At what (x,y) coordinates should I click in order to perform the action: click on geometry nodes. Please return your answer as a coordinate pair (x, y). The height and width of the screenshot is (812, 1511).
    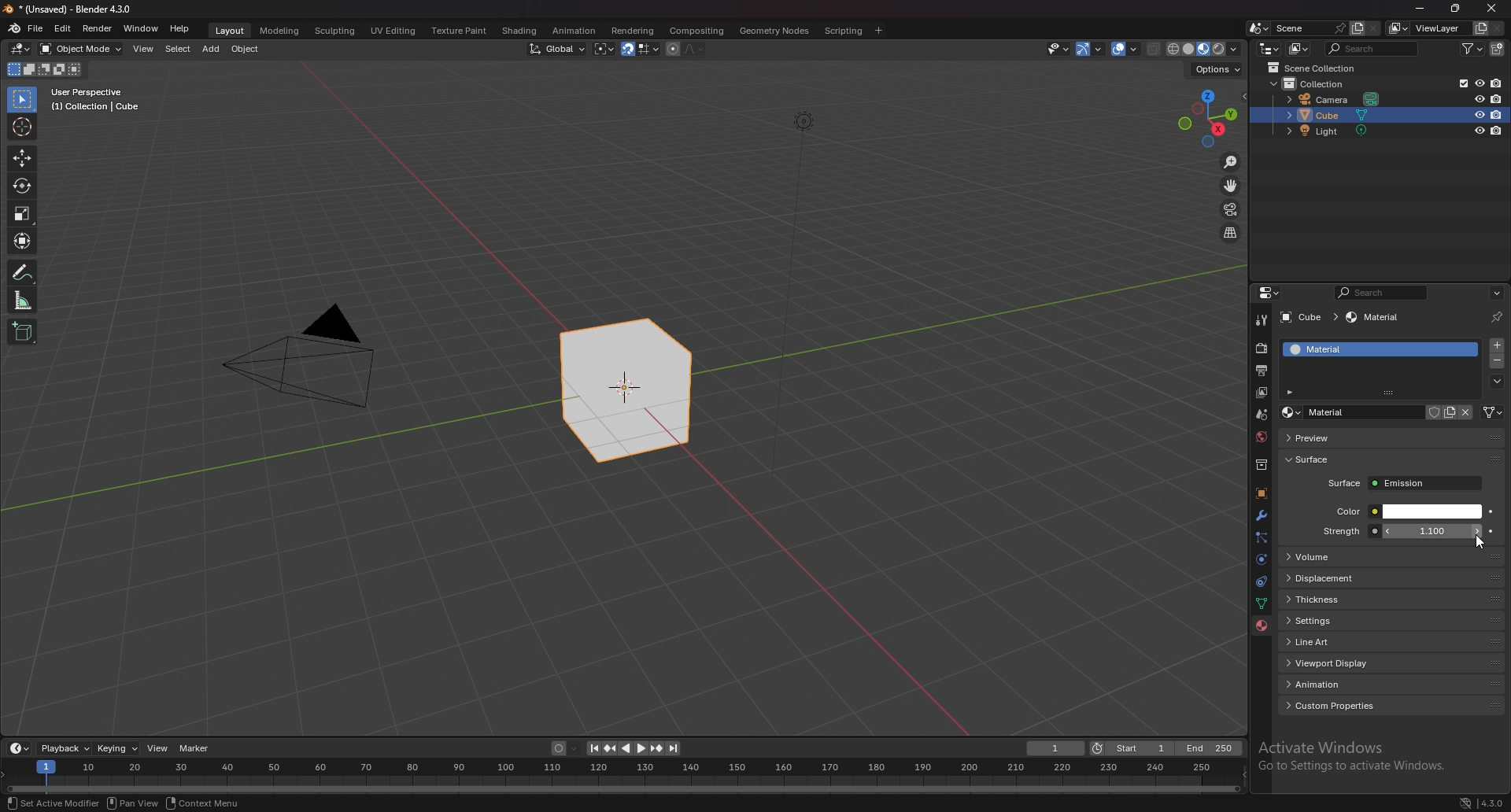
    Looking at the image, I should click on (774, 30).